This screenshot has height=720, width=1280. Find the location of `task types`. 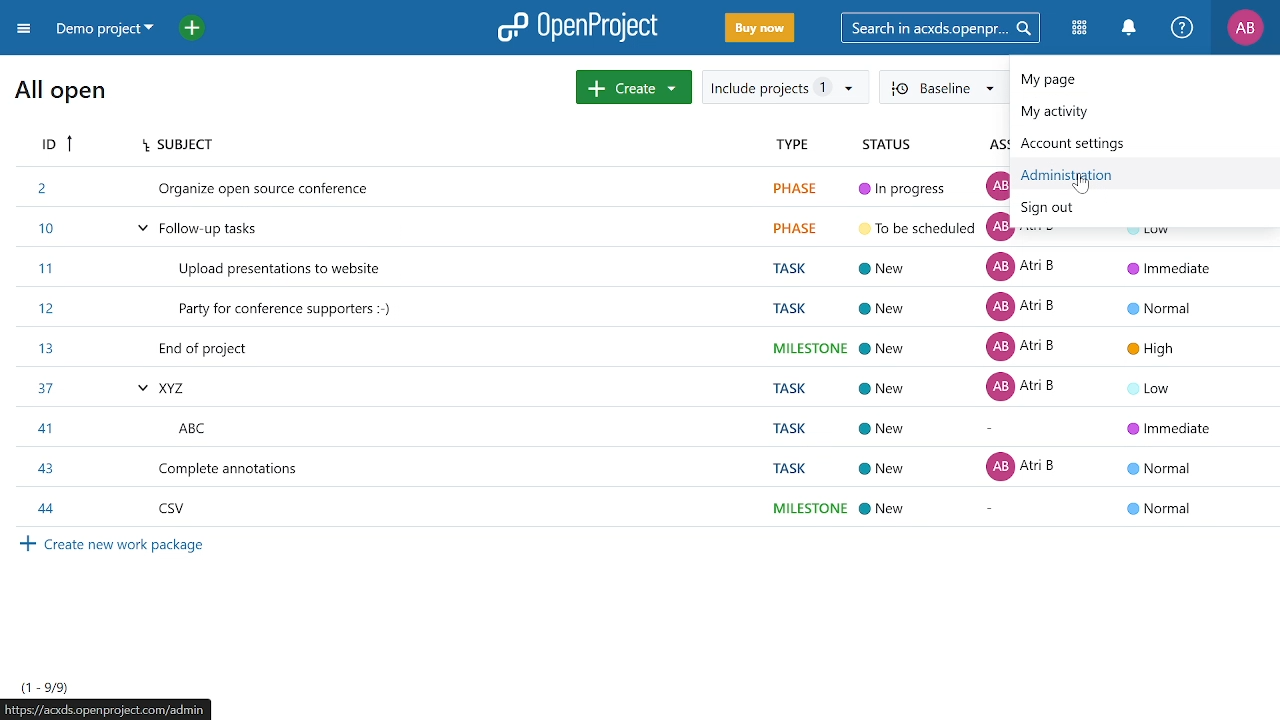

task types is located at coordinates (805, 347).